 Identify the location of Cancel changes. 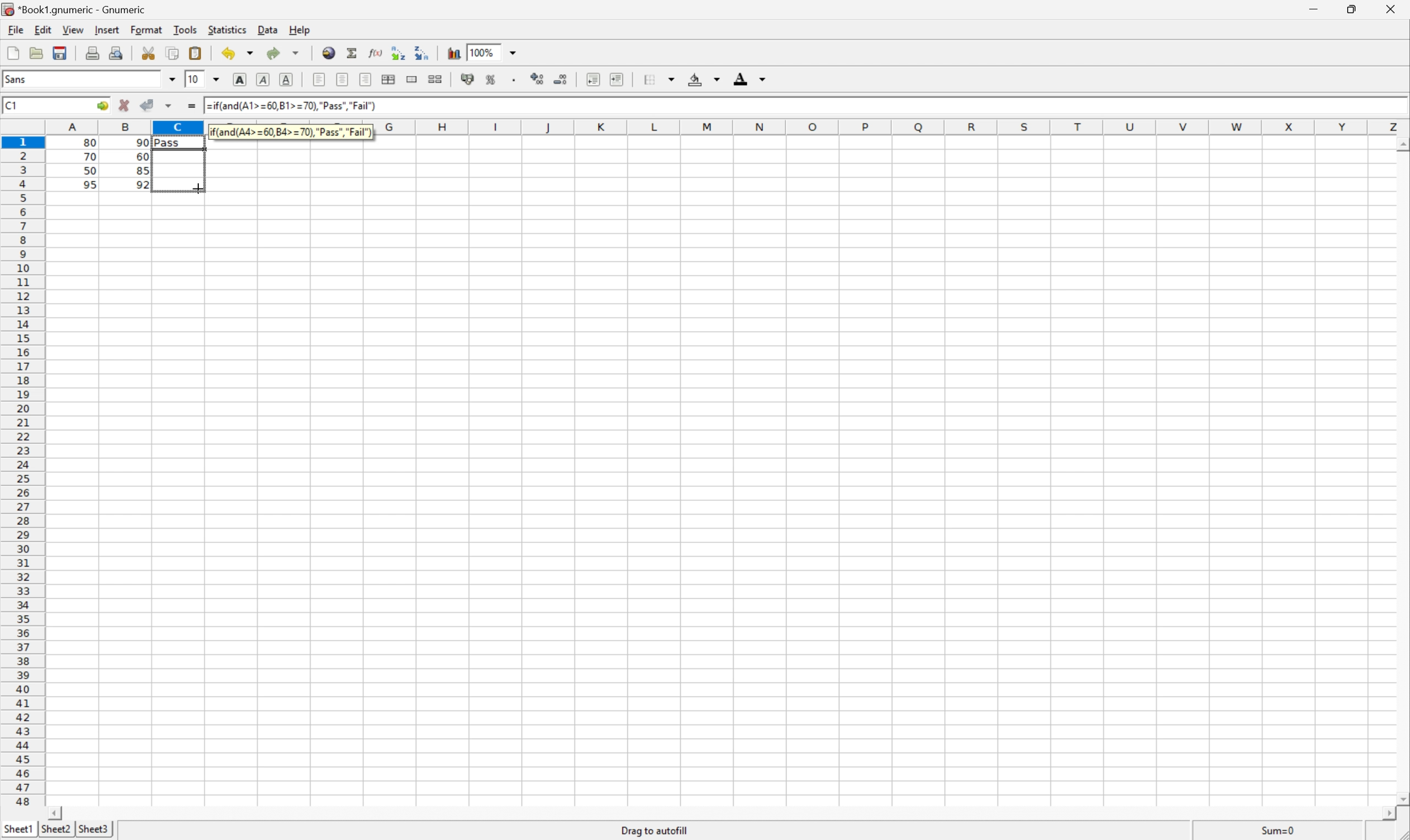
(125, 106).